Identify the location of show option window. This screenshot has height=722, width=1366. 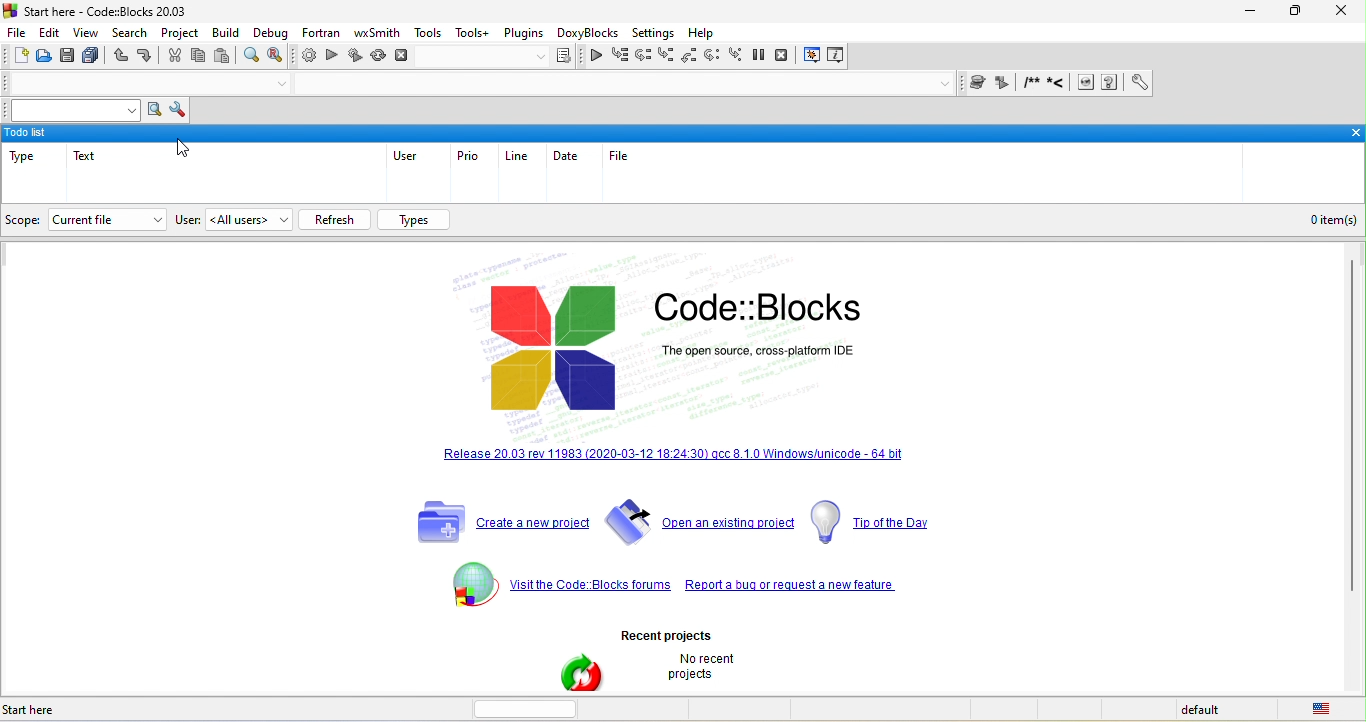
(176, 111).